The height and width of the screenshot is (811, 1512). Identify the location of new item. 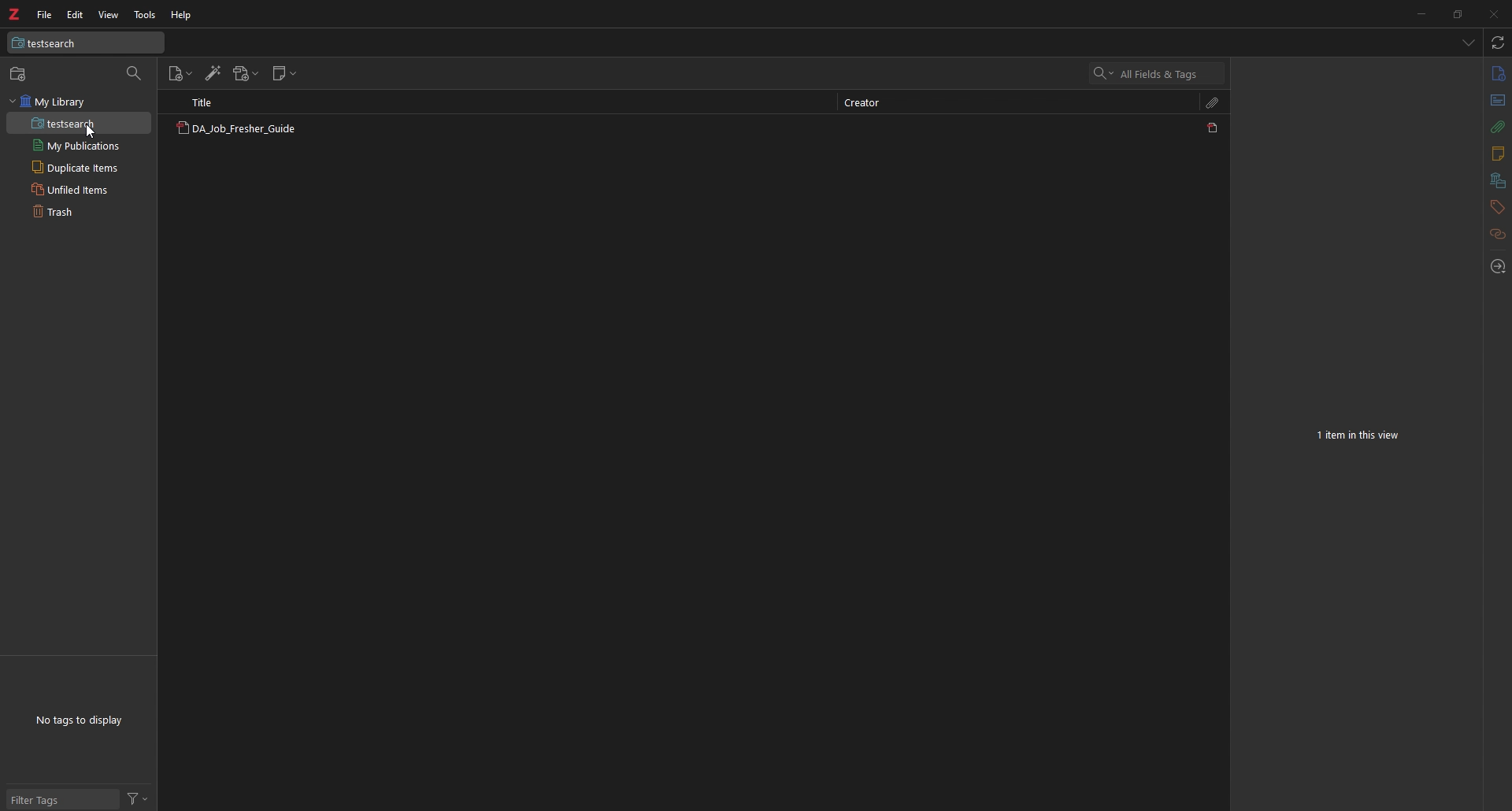
(20, 73).